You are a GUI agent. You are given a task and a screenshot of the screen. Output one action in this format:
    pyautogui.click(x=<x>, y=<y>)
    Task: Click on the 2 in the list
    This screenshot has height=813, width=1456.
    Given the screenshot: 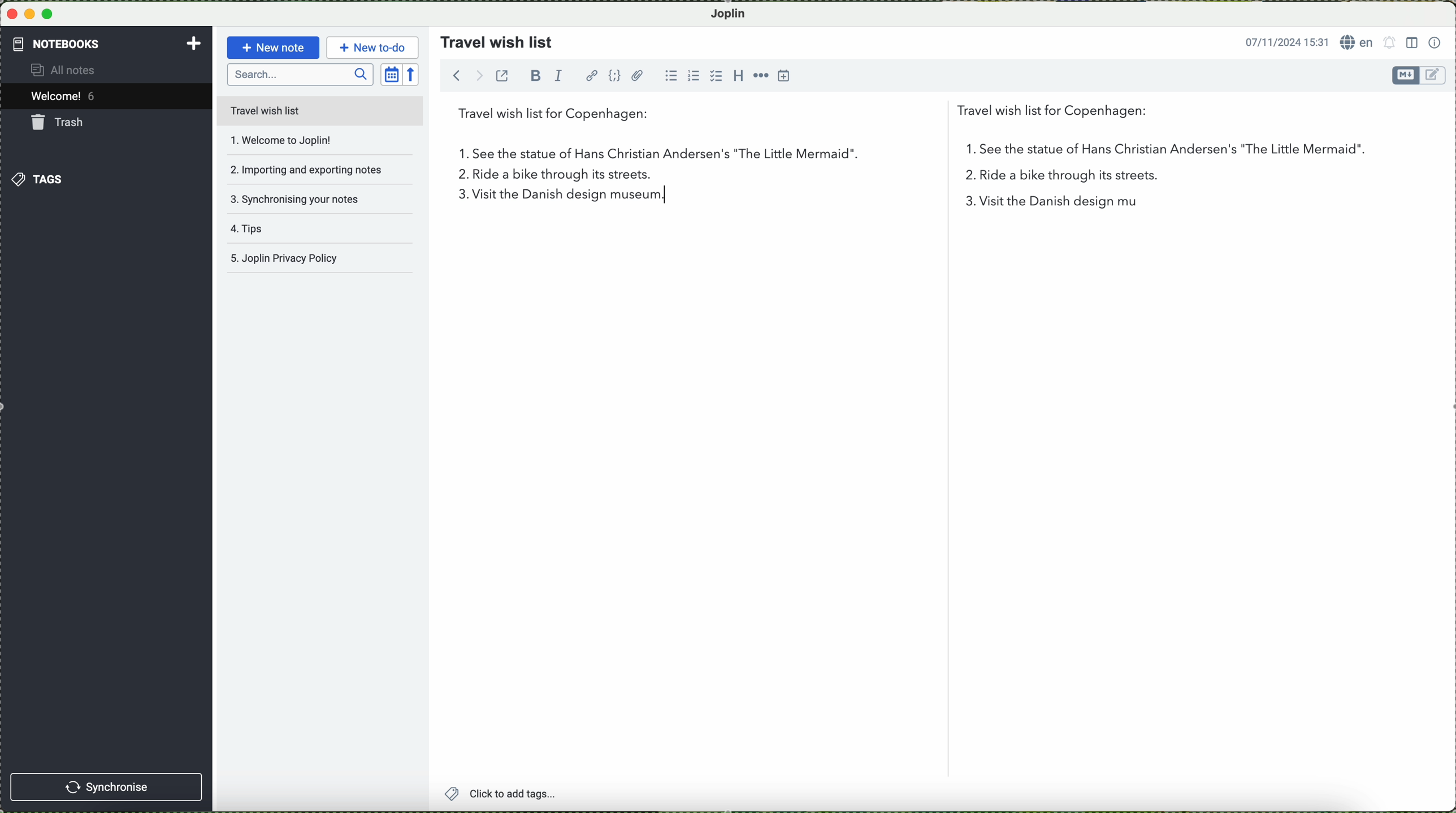 What is the action you would take?
    pyautogui.click(x=1037, y=178)
    